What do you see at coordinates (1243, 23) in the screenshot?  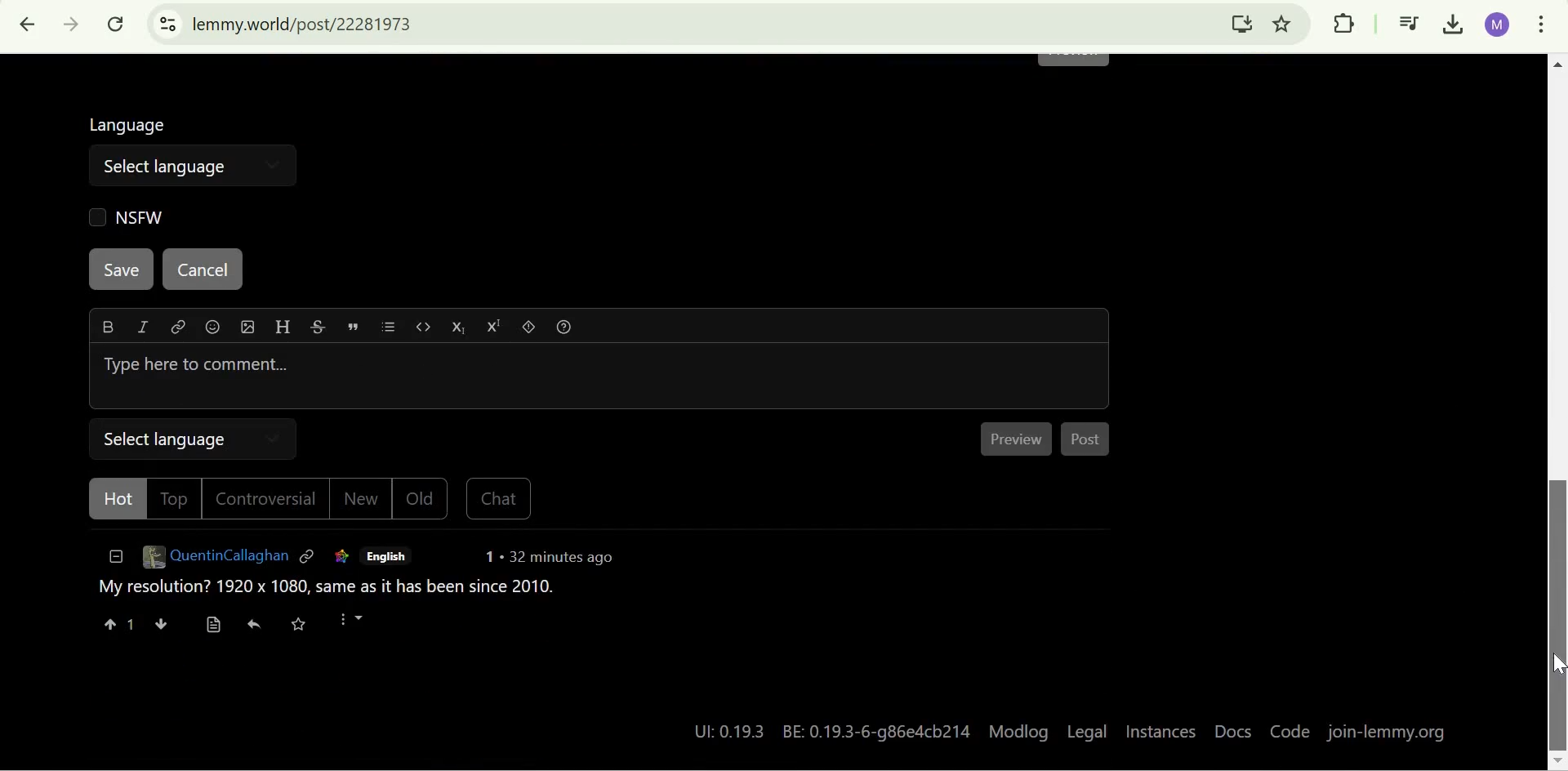 I see `Install Lemmy.World` at bounding box center [1243, 23].